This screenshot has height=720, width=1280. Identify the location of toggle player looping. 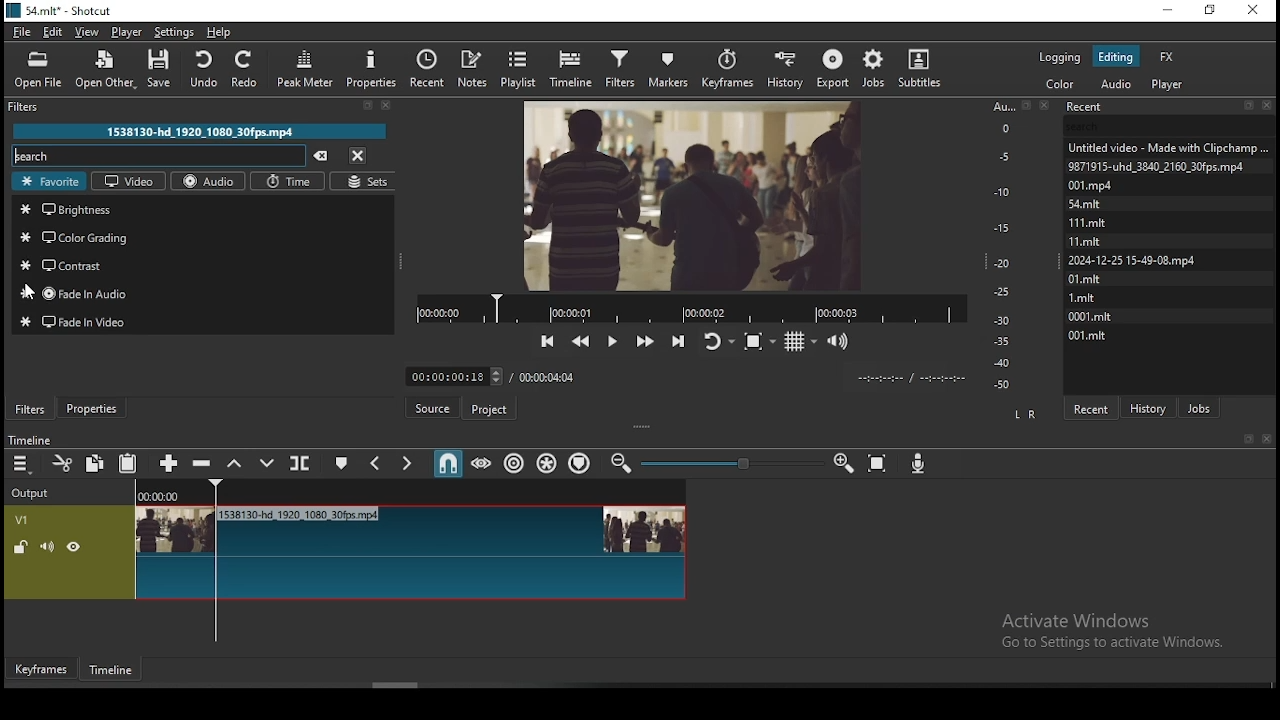
(717, 339).